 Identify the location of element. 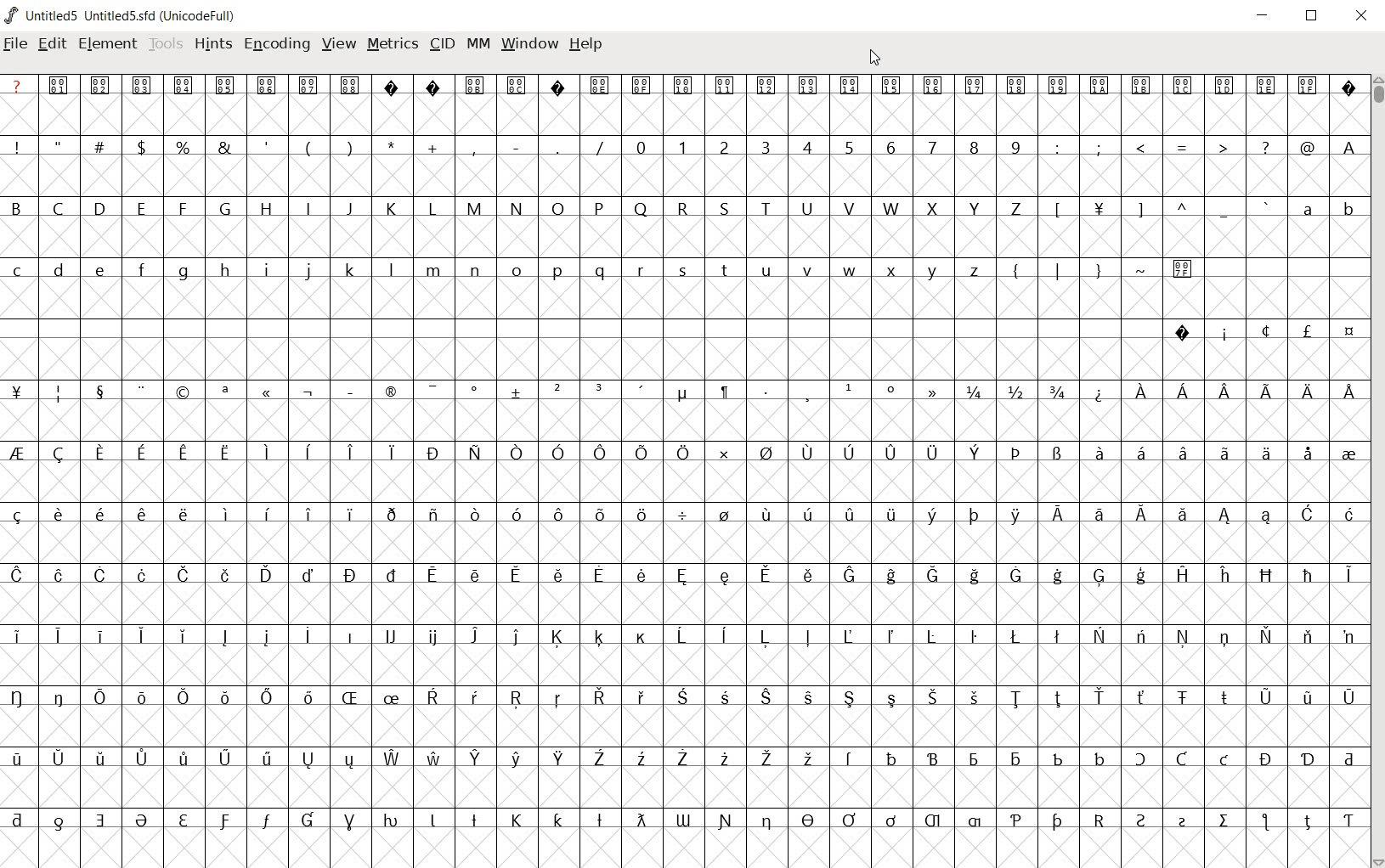
(109, 44).